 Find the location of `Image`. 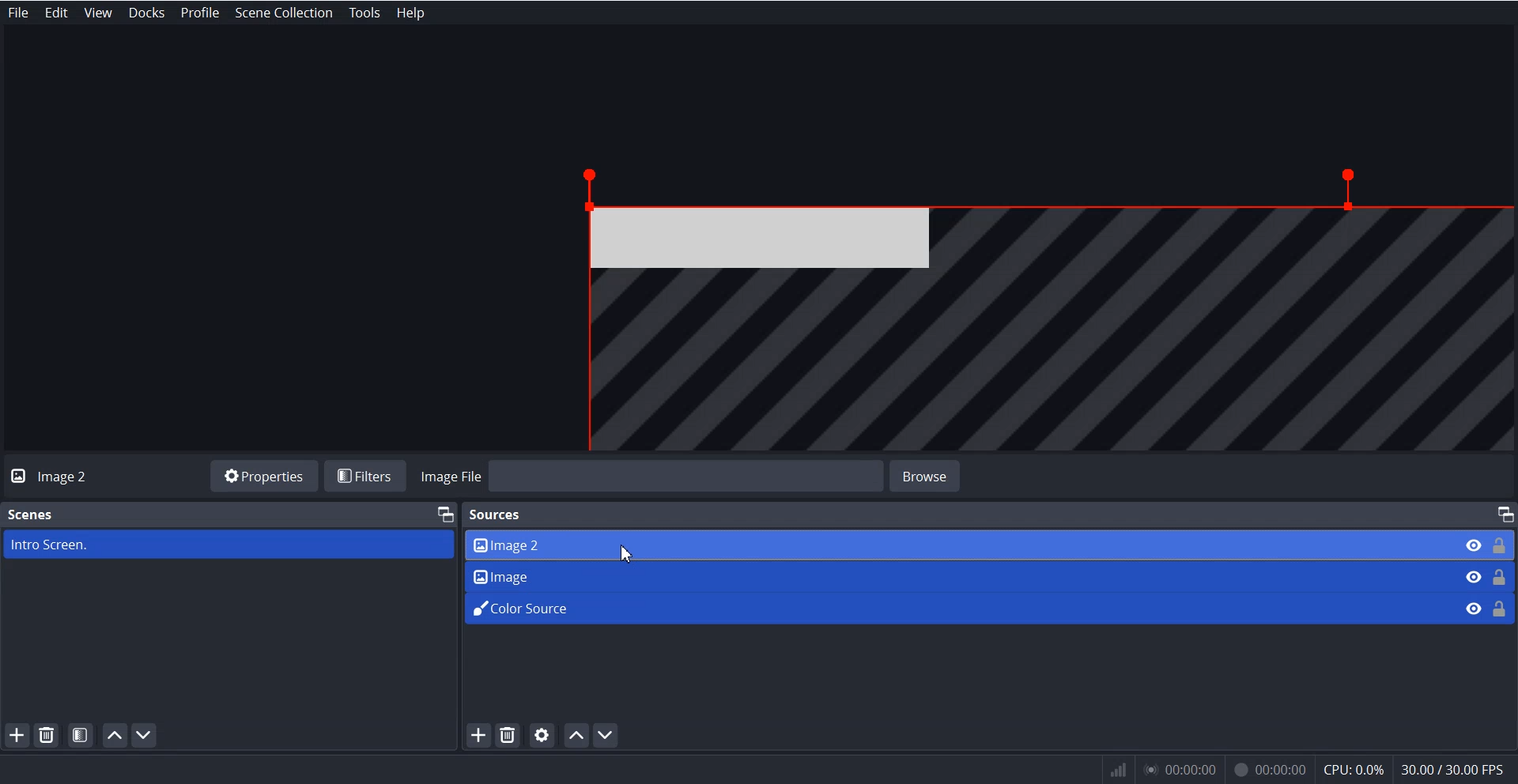

Image is located at coordinates (957, 574).